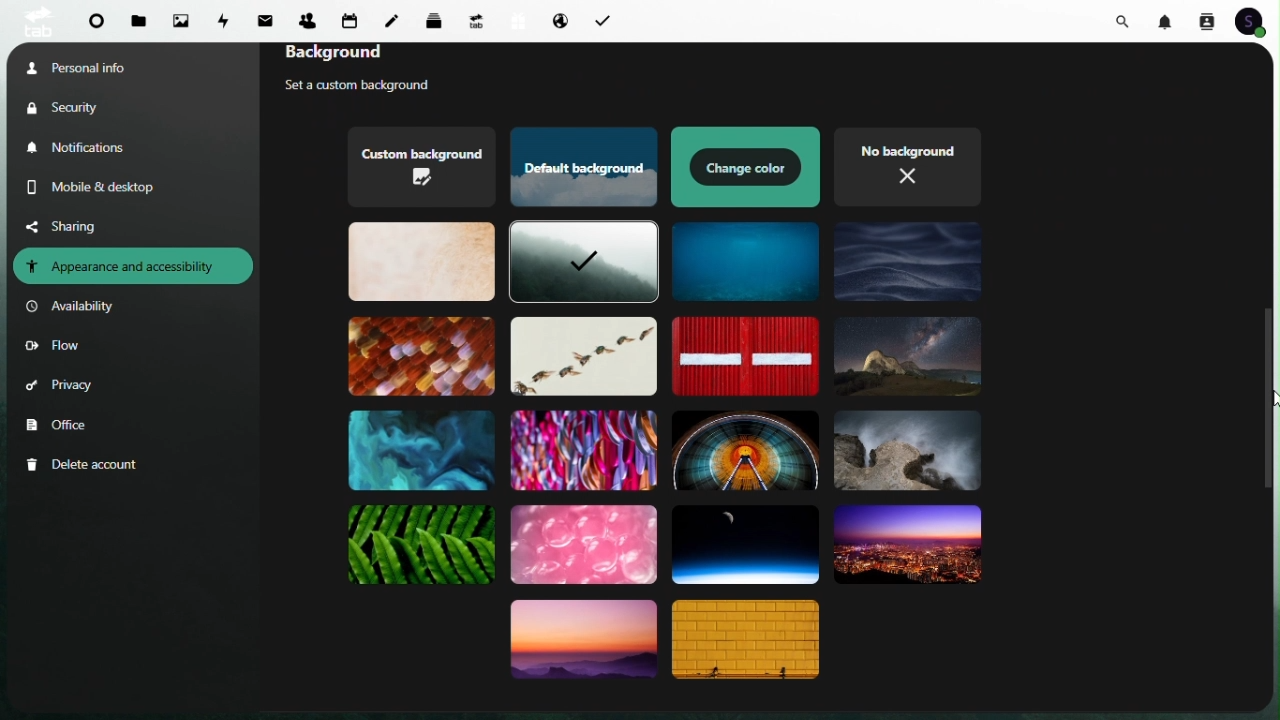  Describe the element at coordinates (438, 19) in the screenshot. I see `deck` at that location.